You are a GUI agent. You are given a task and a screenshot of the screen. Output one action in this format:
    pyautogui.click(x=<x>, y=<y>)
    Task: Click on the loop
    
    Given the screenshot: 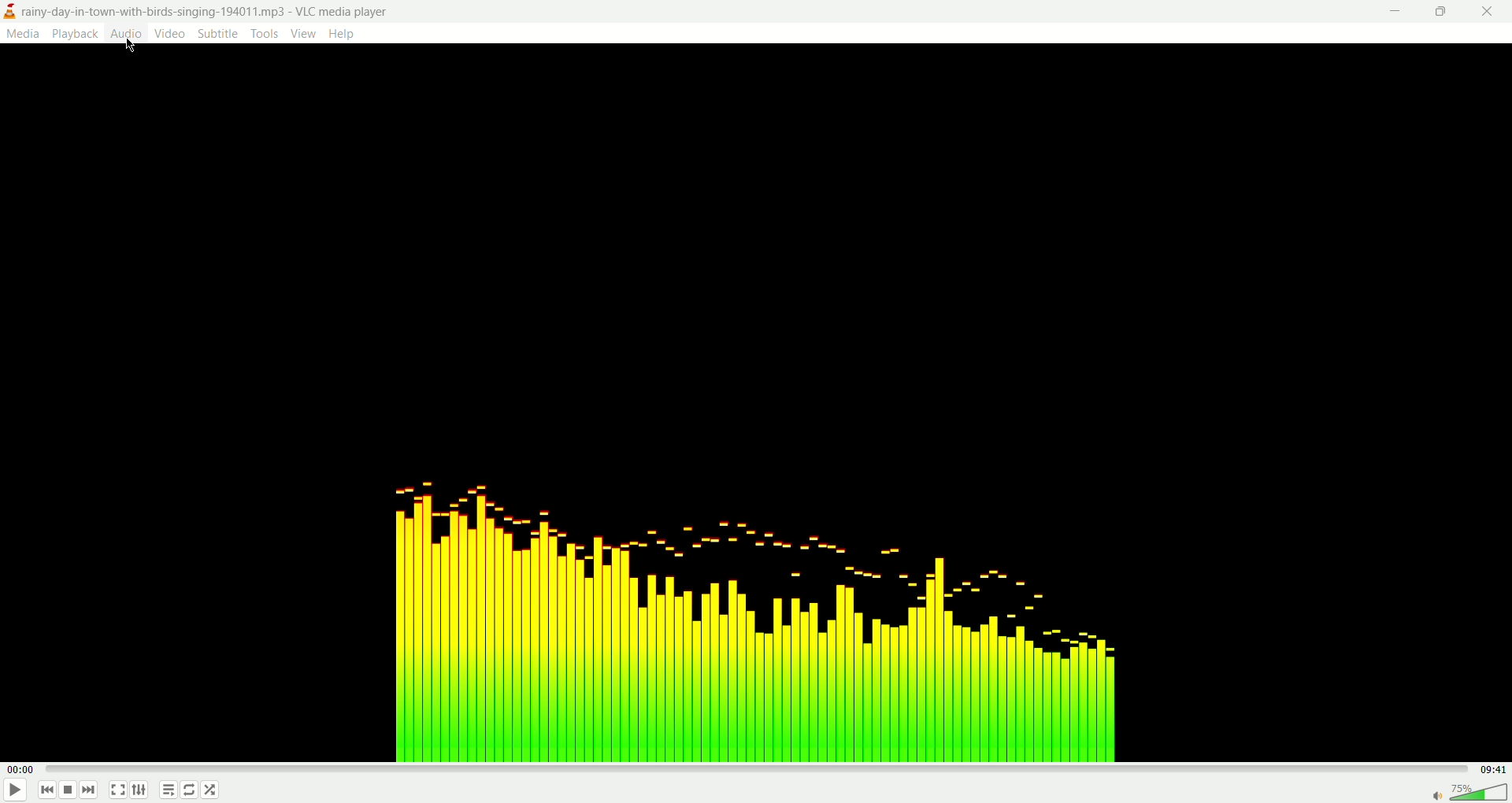 What is the action you would take?
    pyautogui.click(x=190, y=790)
    